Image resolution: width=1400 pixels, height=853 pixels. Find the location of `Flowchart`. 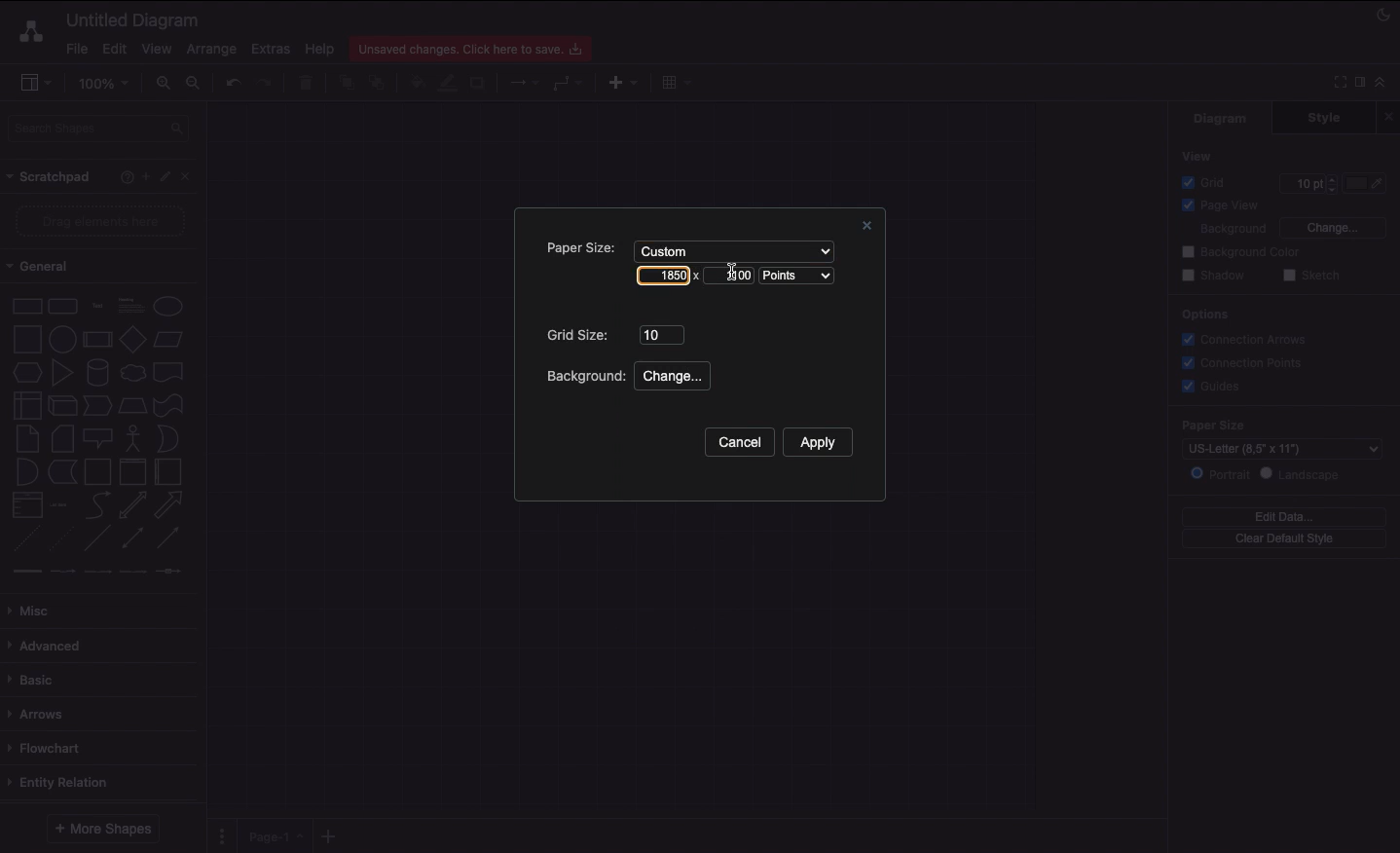

Flowchart is located at coordinates (48, 748).